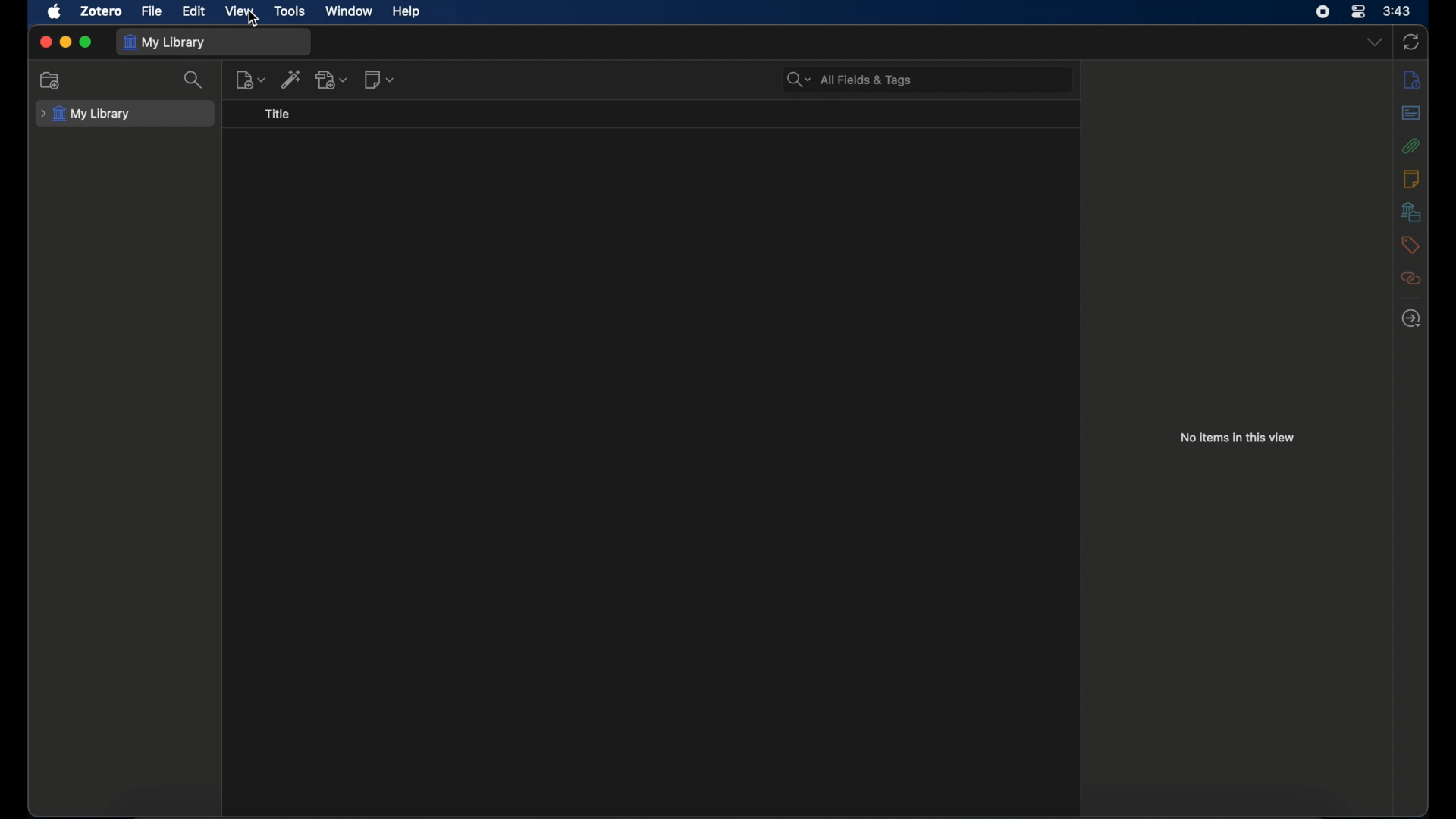 This screenshot has width=1456, height=819. I want to click on file, so click(152, 11).